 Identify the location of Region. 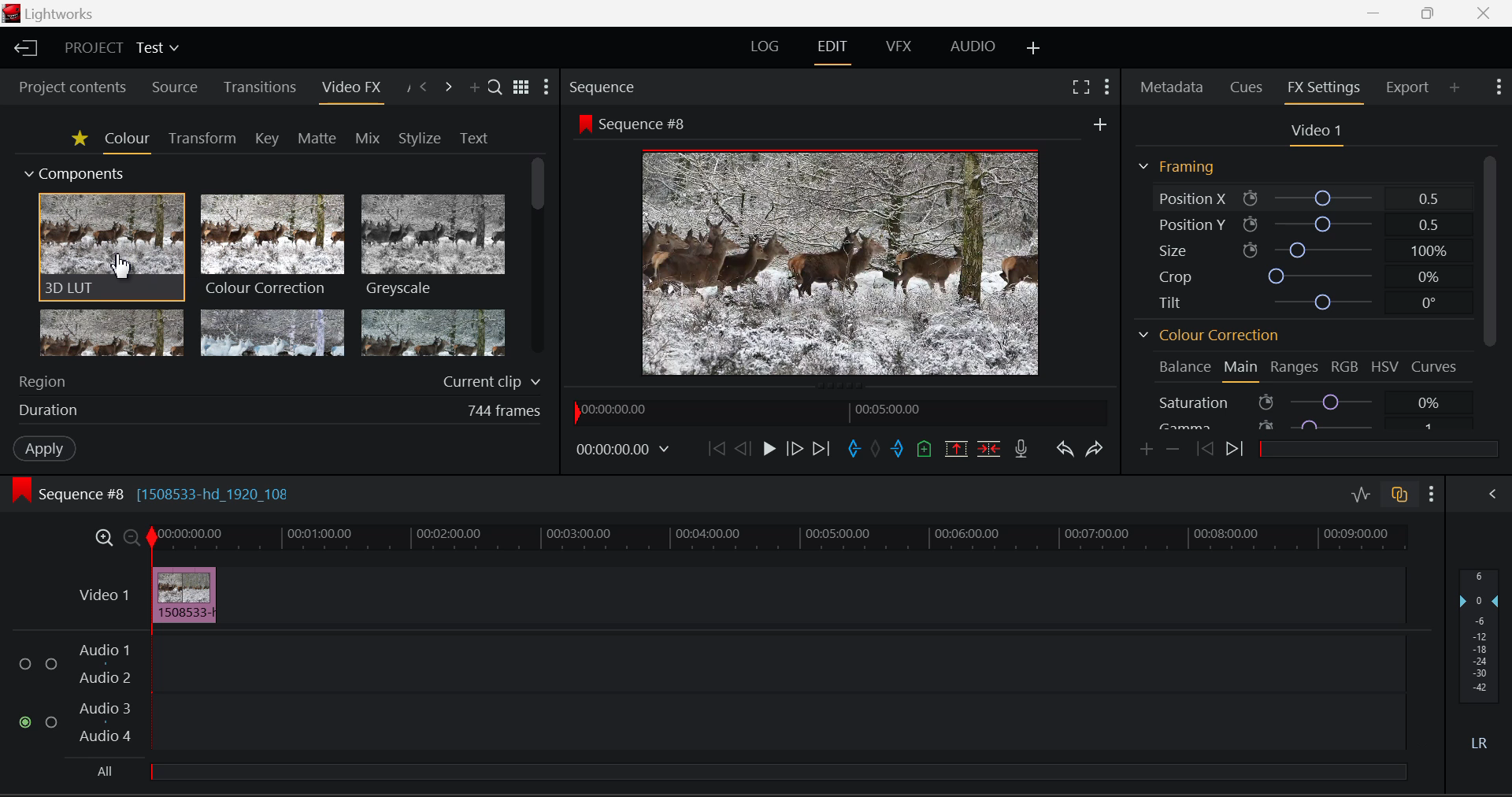
(277, 380).